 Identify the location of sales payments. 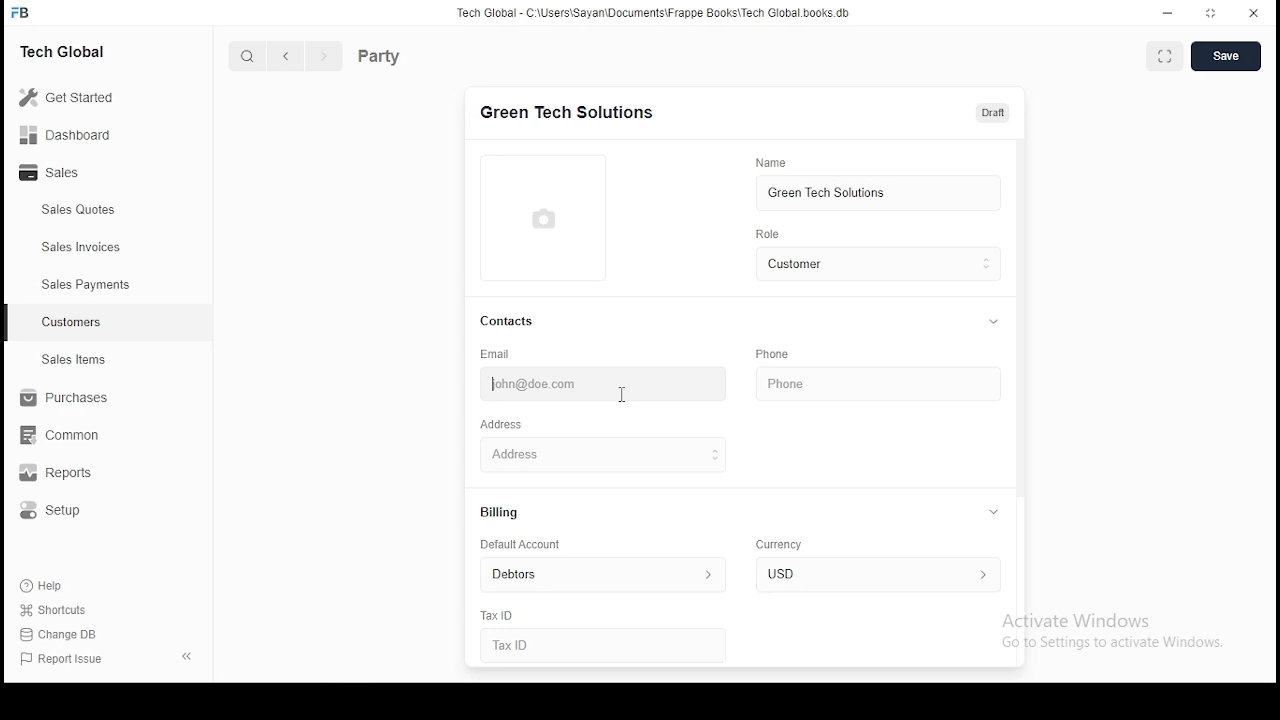
(82, 285).